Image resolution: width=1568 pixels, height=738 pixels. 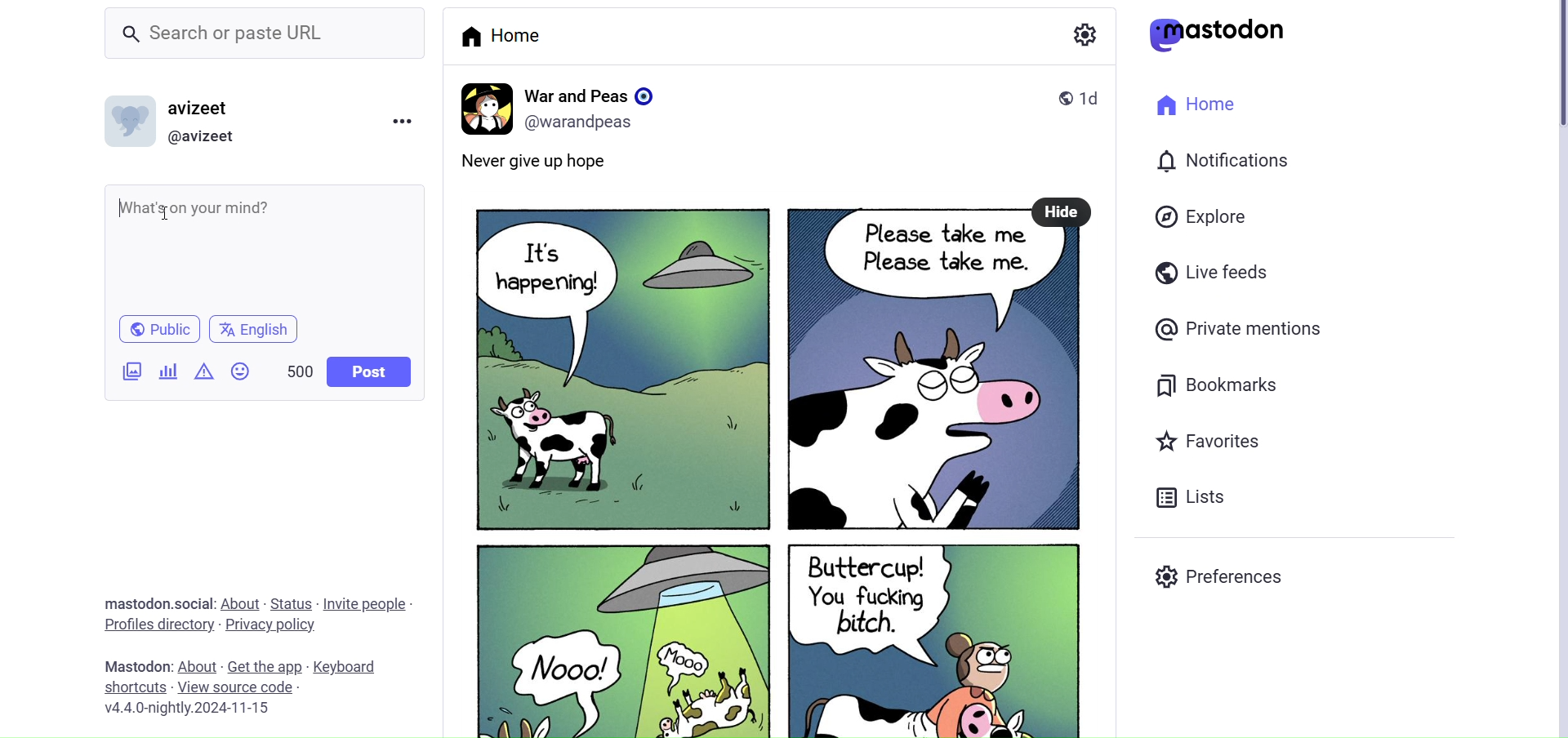 What do you see at coordinates (292, 602) in the screenshot?
I see `Status` at bounding box center [292, 602].